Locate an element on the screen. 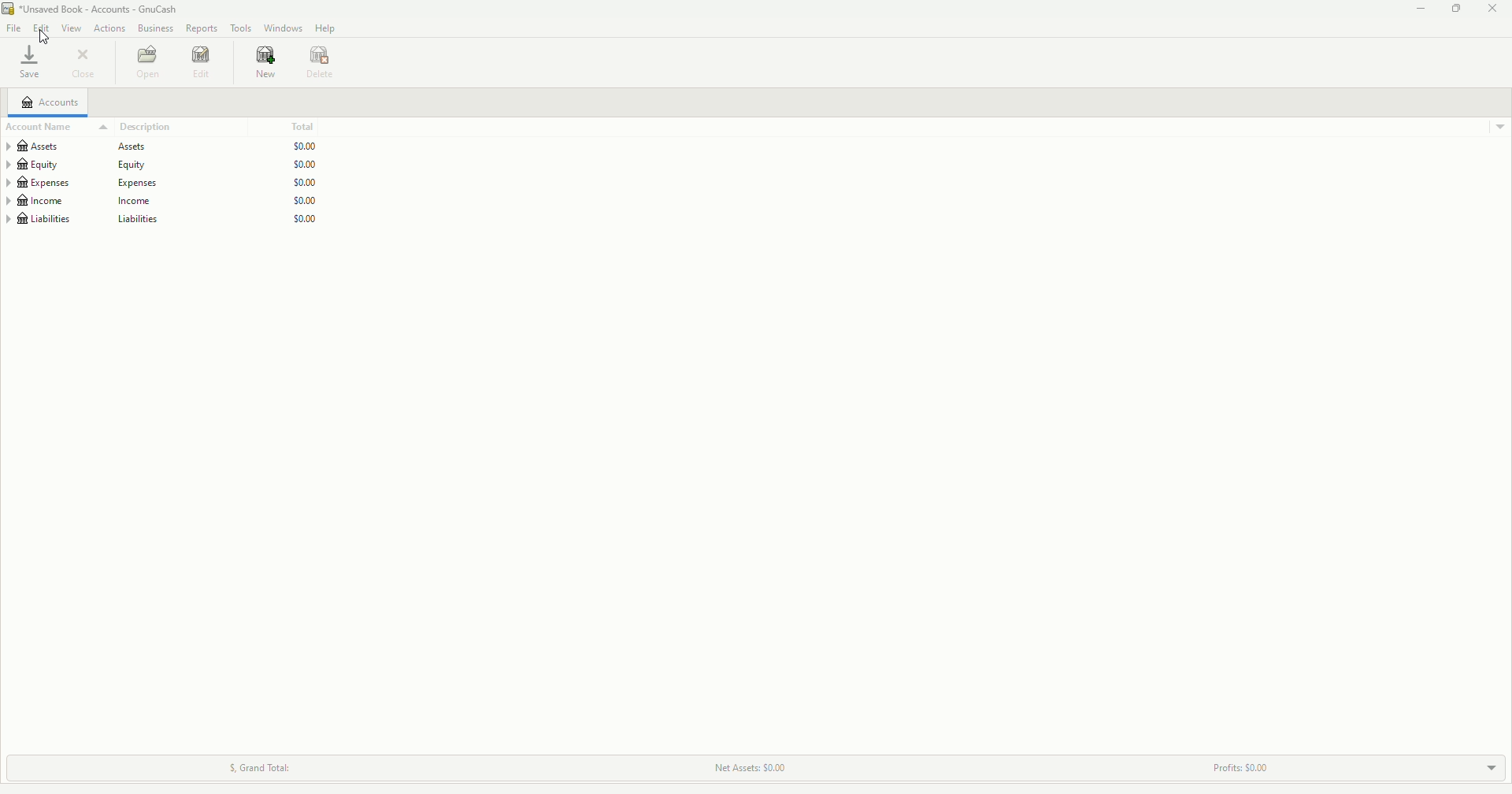 This screenshot has height=794, width=1512. cursor is located at coordinates (42, 39).